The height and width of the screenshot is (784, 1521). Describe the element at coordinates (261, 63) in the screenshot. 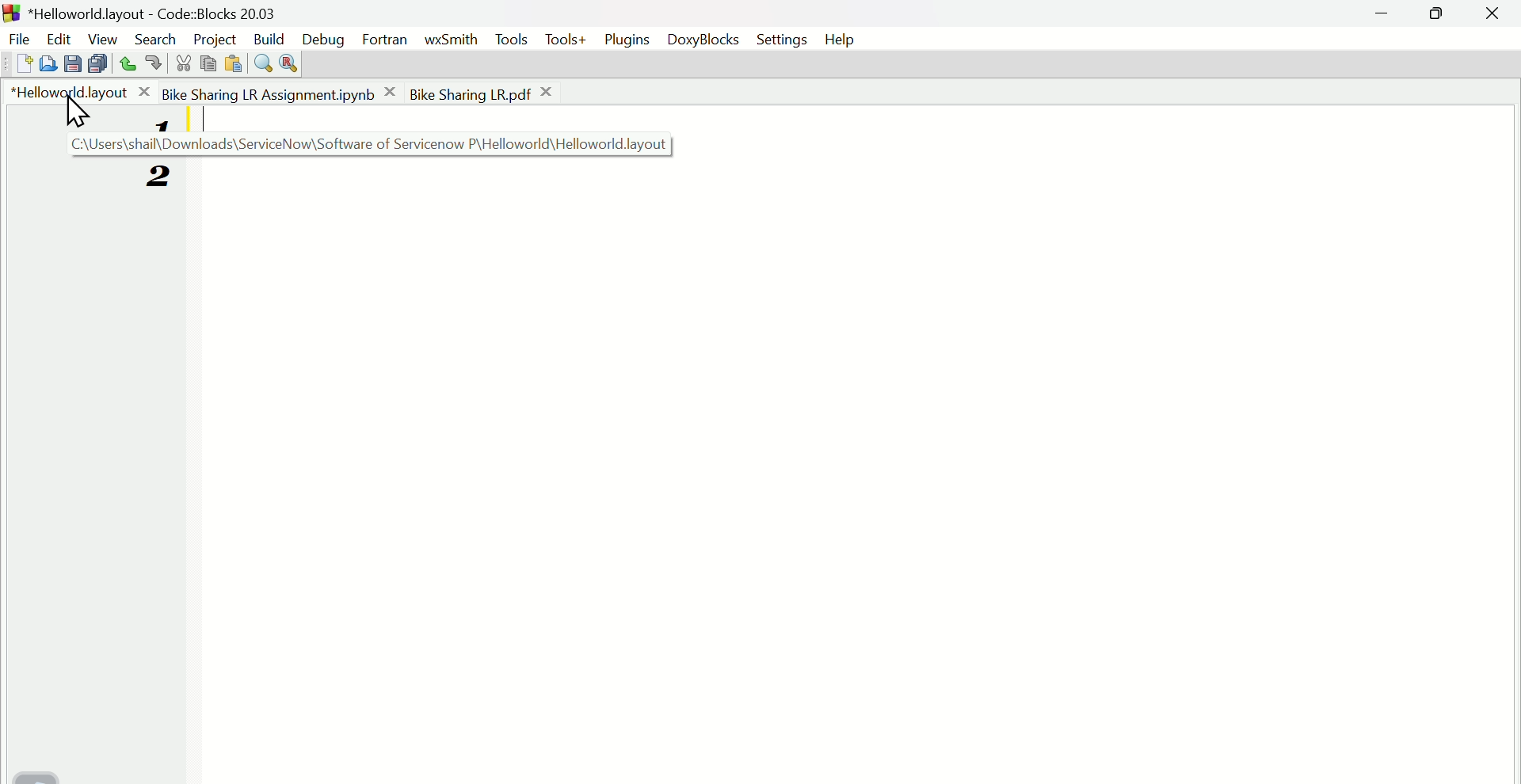

I see `Find` at that location.